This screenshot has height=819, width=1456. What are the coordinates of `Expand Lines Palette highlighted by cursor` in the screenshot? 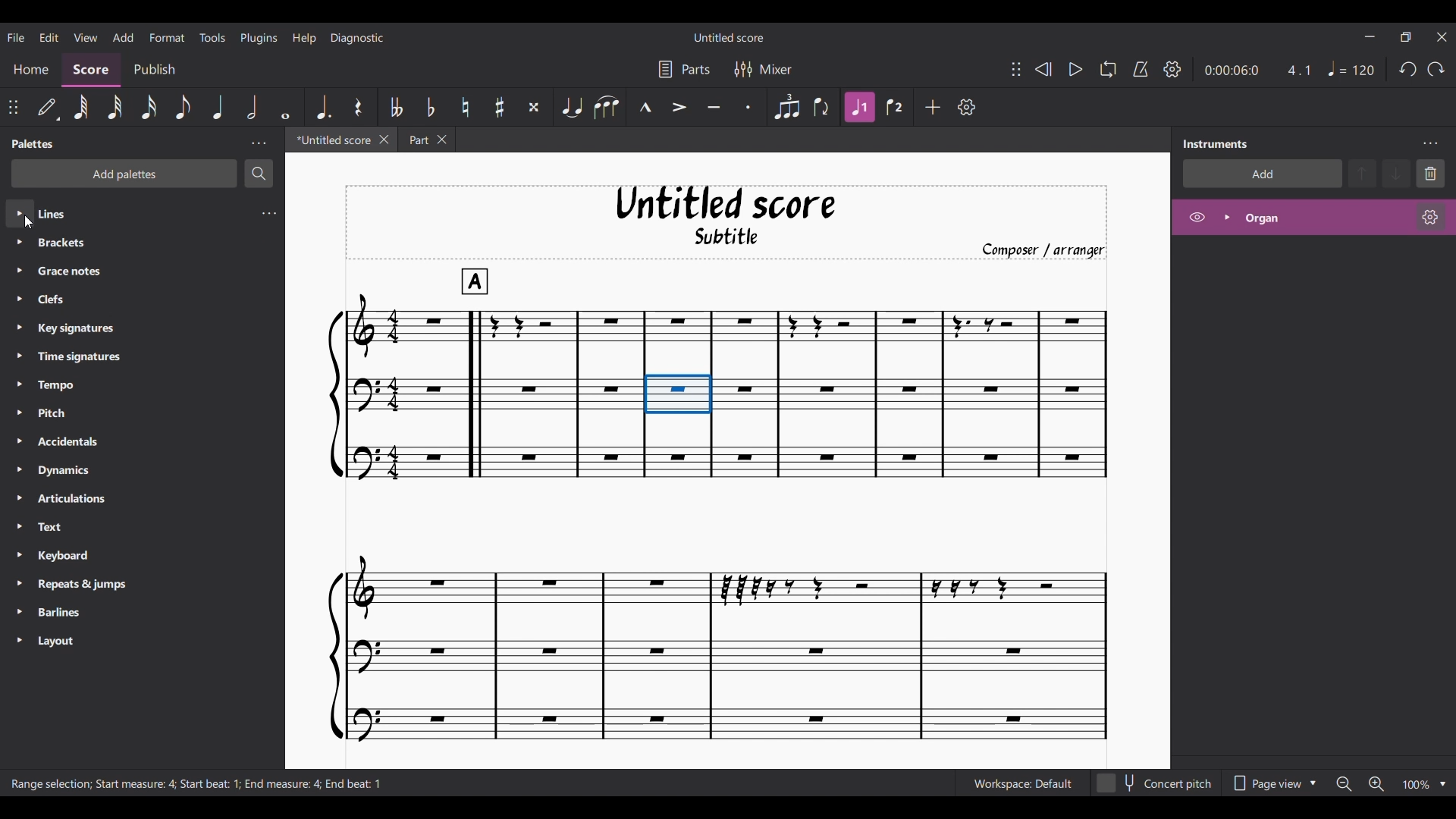 It's located at (20, 213).